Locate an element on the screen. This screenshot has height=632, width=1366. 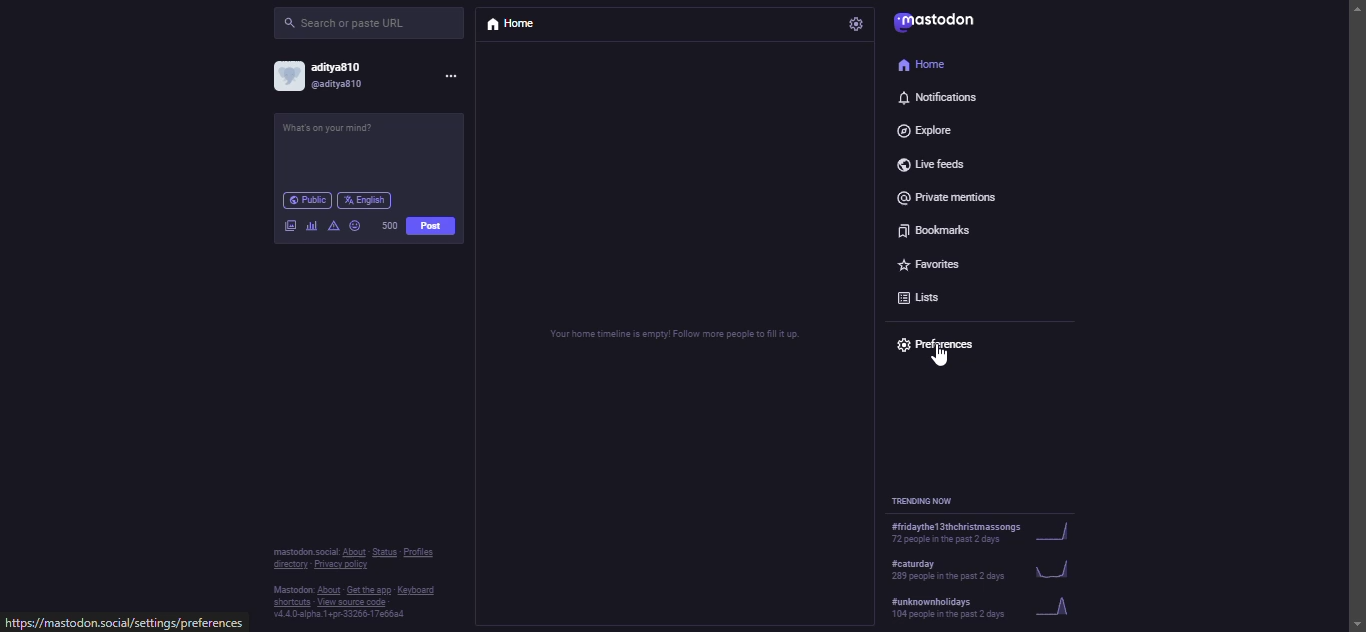
500 is located at coordinates (390, 224).